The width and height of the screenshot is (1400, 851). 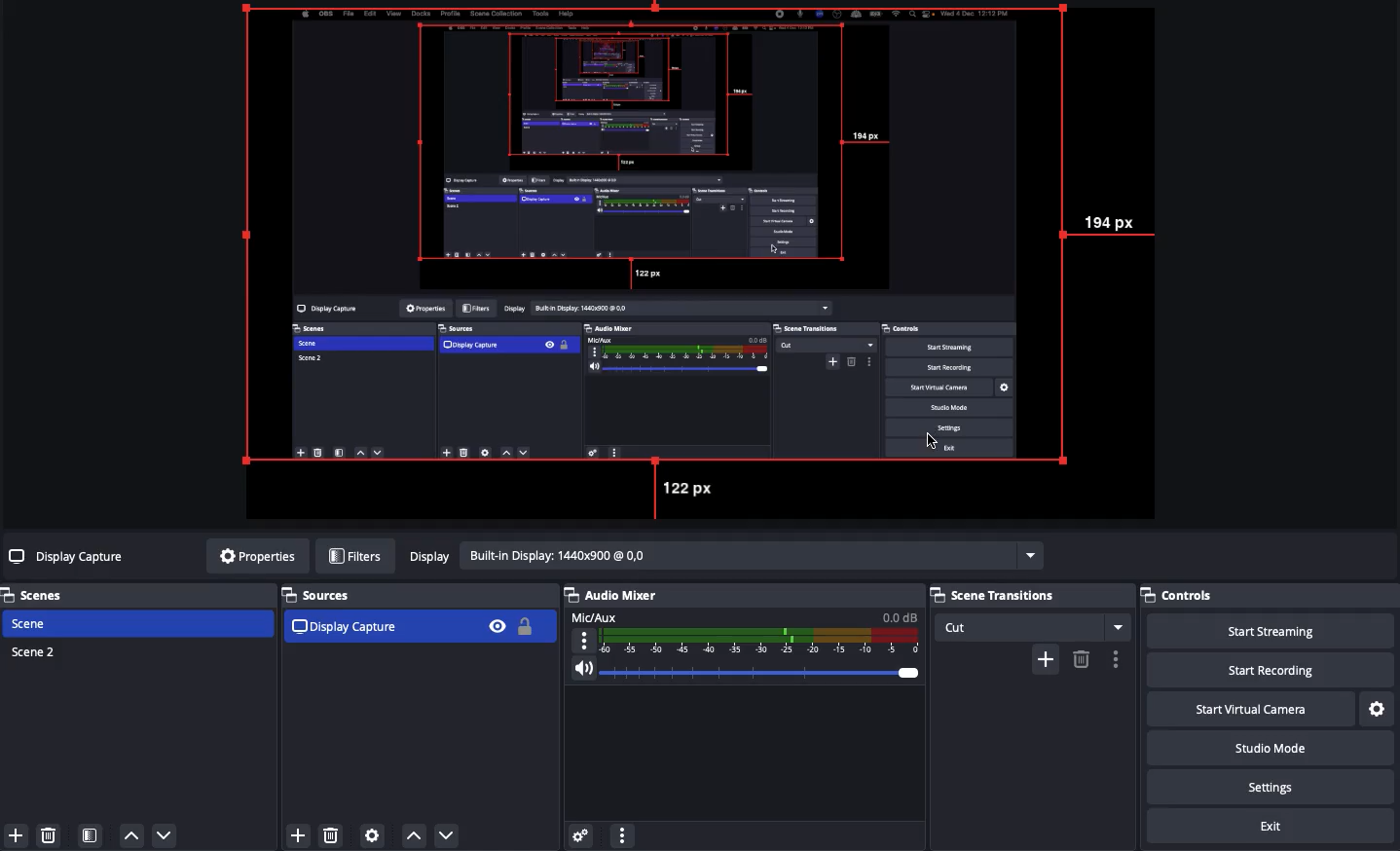 I want to click on Audio Mixer, so click(x=744, y=641).